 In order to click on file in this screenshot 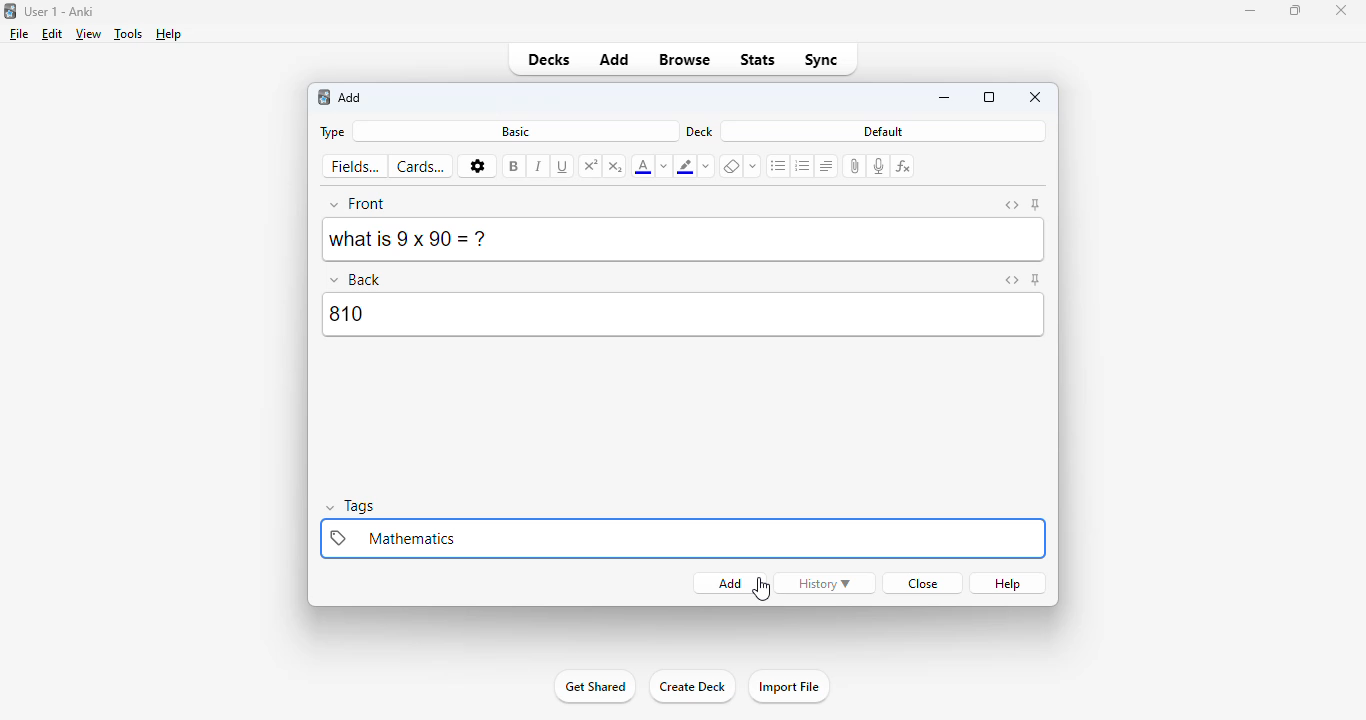, I will do `click(19, 34)`.